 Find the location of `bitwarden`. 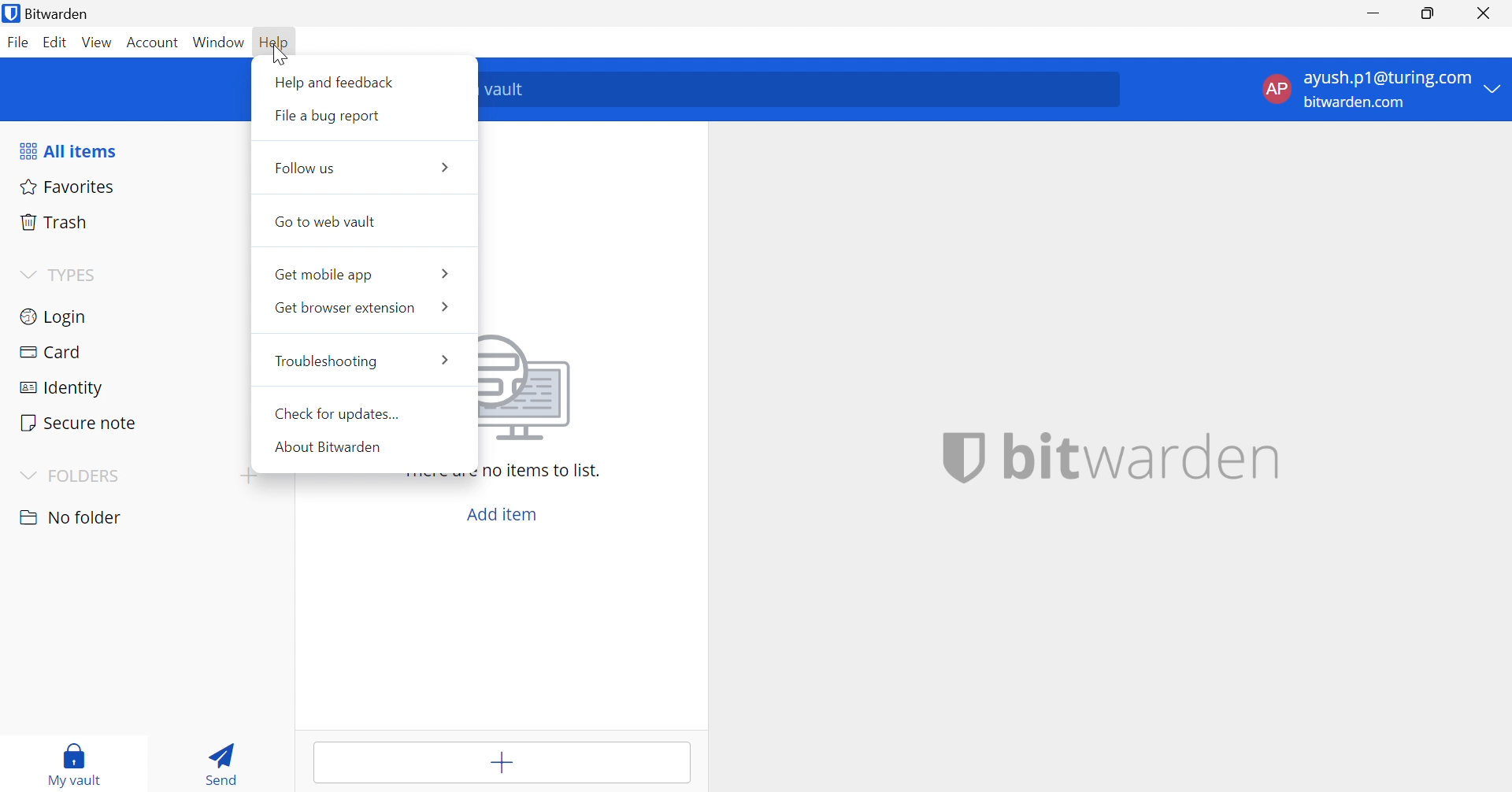

bitwarden is located at coordinates (1113, 457).